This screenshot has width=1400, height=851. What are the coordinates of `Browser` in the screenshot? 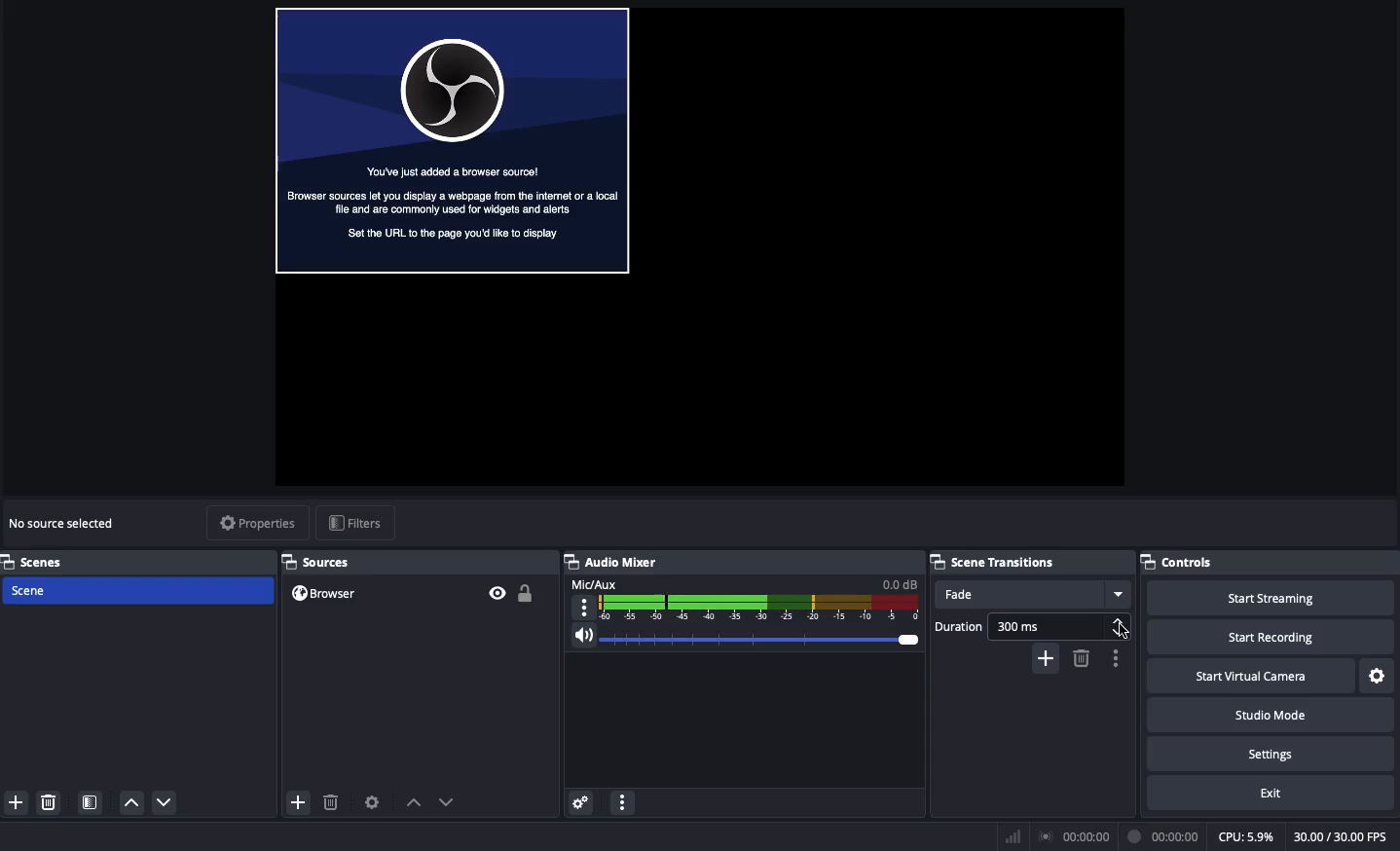 It's located at (327, 594).